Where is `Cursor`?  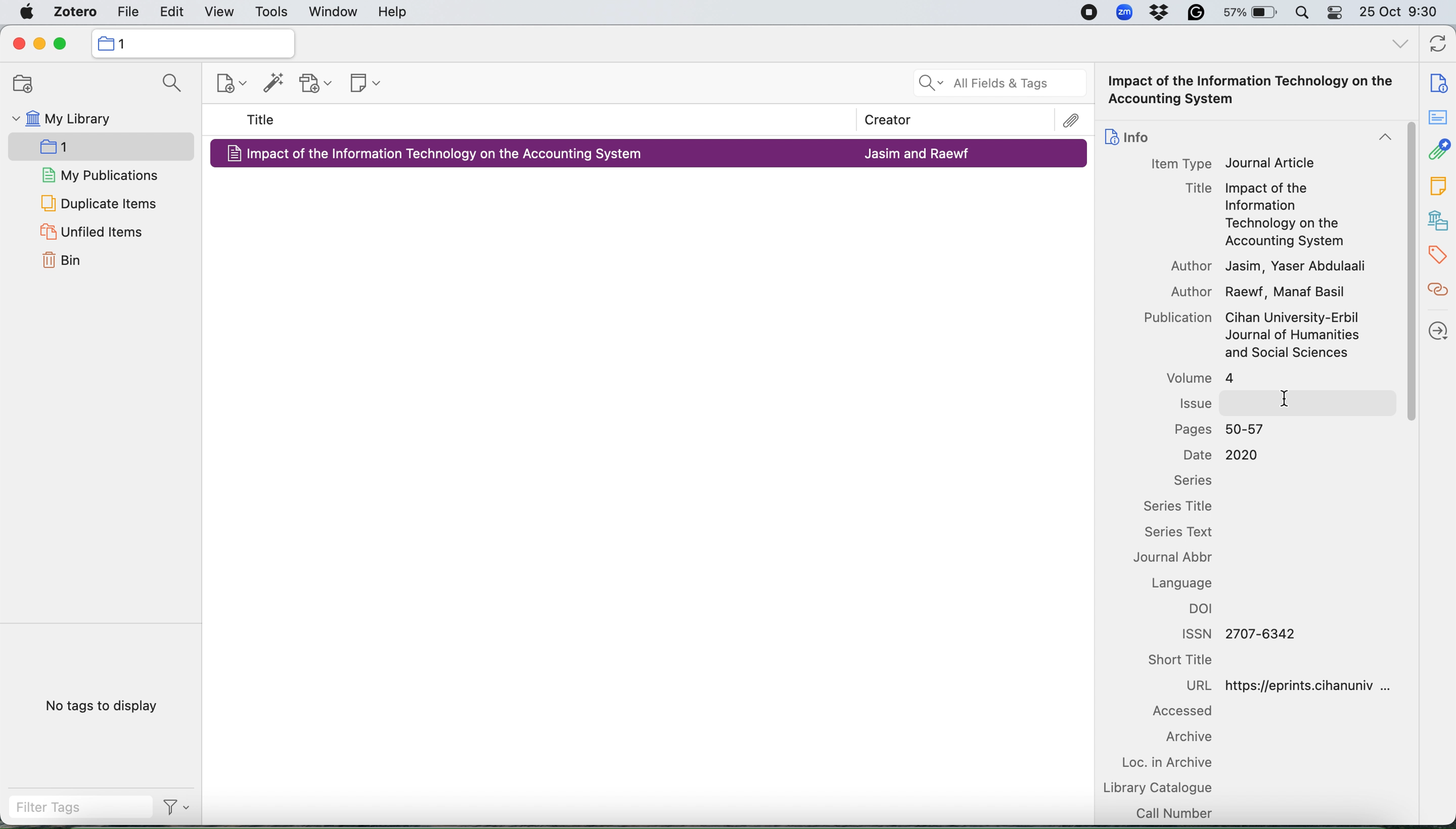
Cursor is located at coordinates (1409, 272).